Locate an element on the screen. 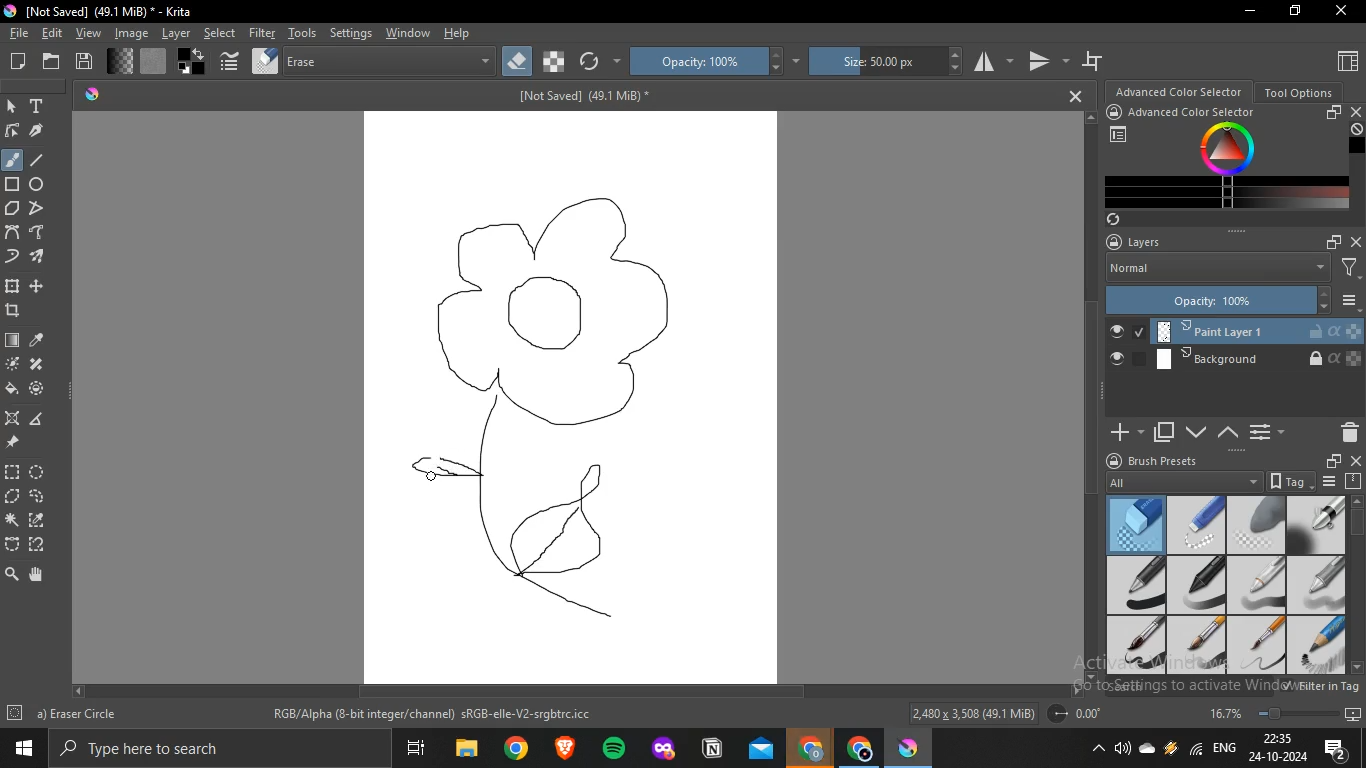  duplicate layer or mask layer is located at coordinates (1164, 433).